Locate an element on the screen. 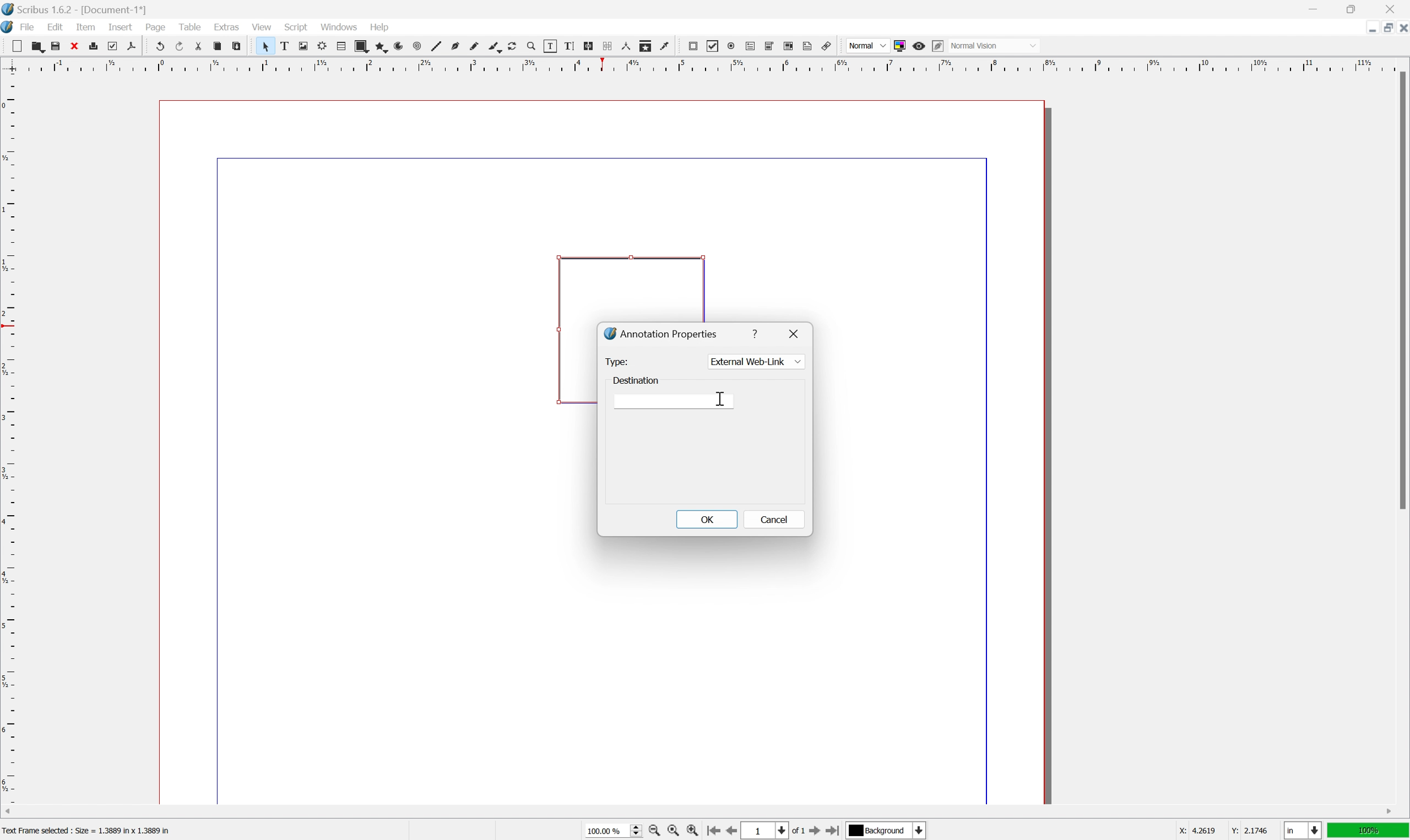 The width and height of the screenshot is (1410, 840). Text frame selected : size = 1.3889 in × 1.3889 in is located at coordinates (88, 829).